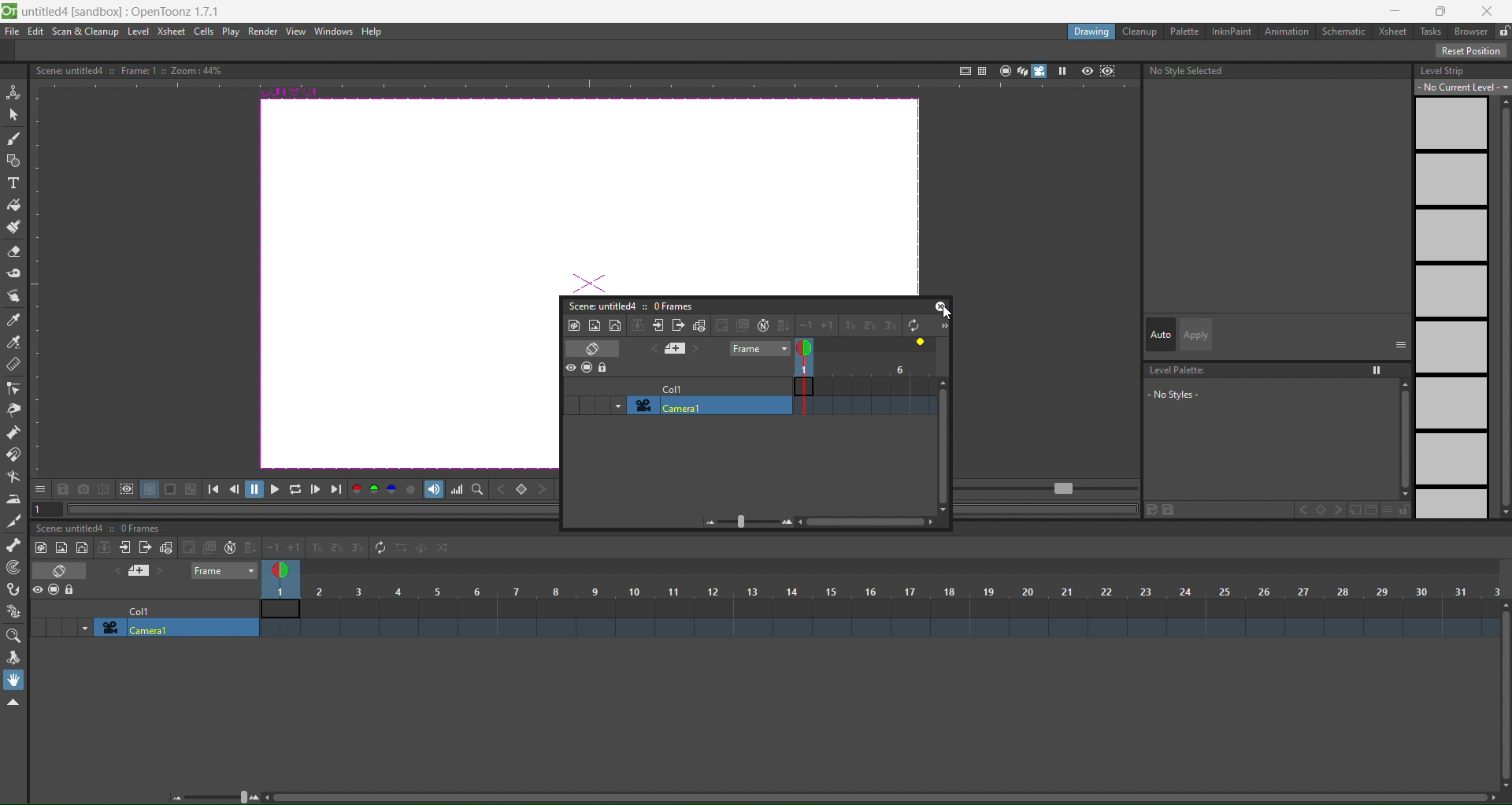 The width and height of the screenshot is (1512, 805). What do you see at coordinates (17, 680) in the screenshot?
I see `hand tool` at bounding box center [17, 680].